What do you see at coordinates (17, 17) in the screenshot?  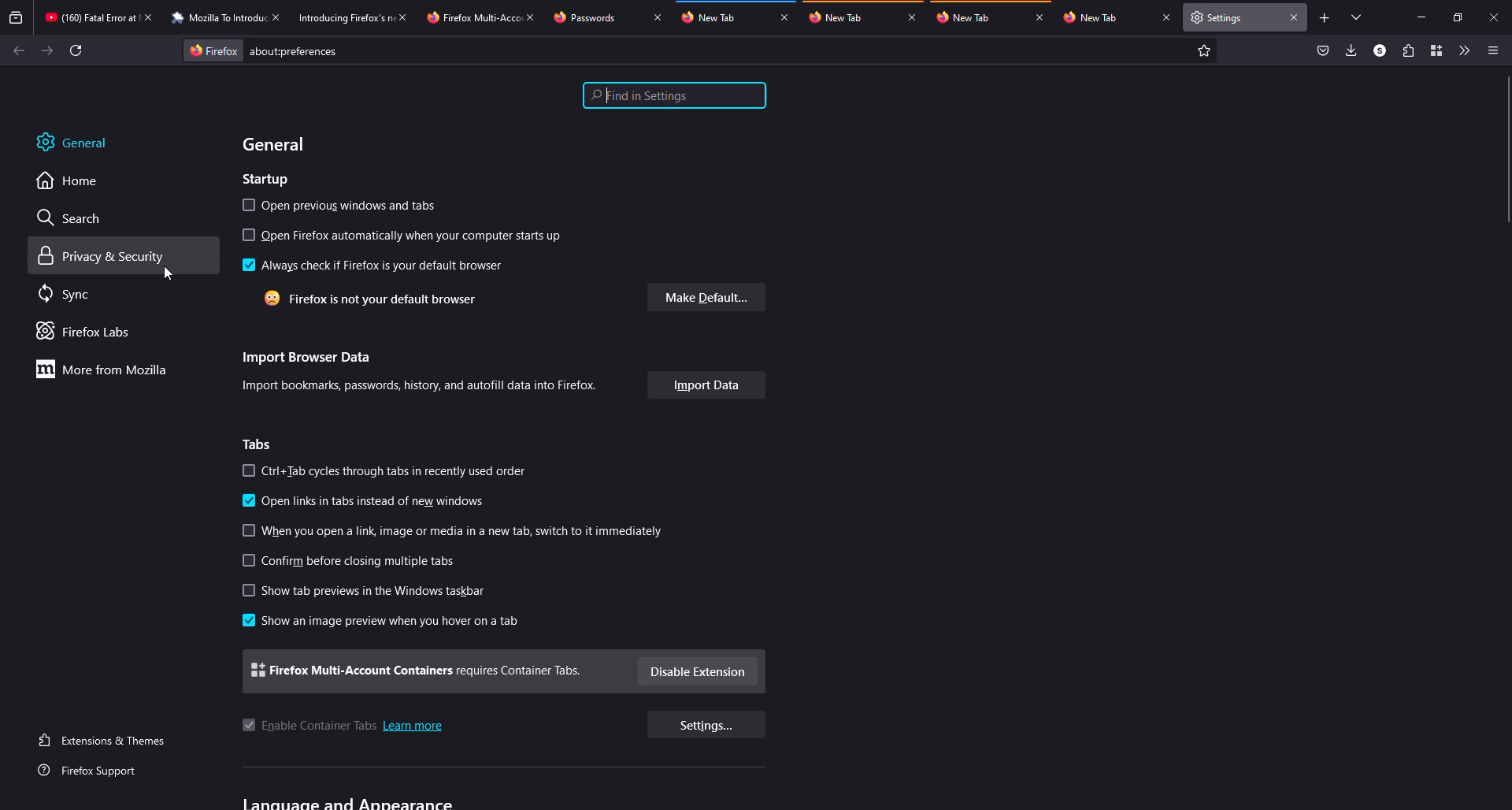 I see `view recent` at bounding box center [17, 17].